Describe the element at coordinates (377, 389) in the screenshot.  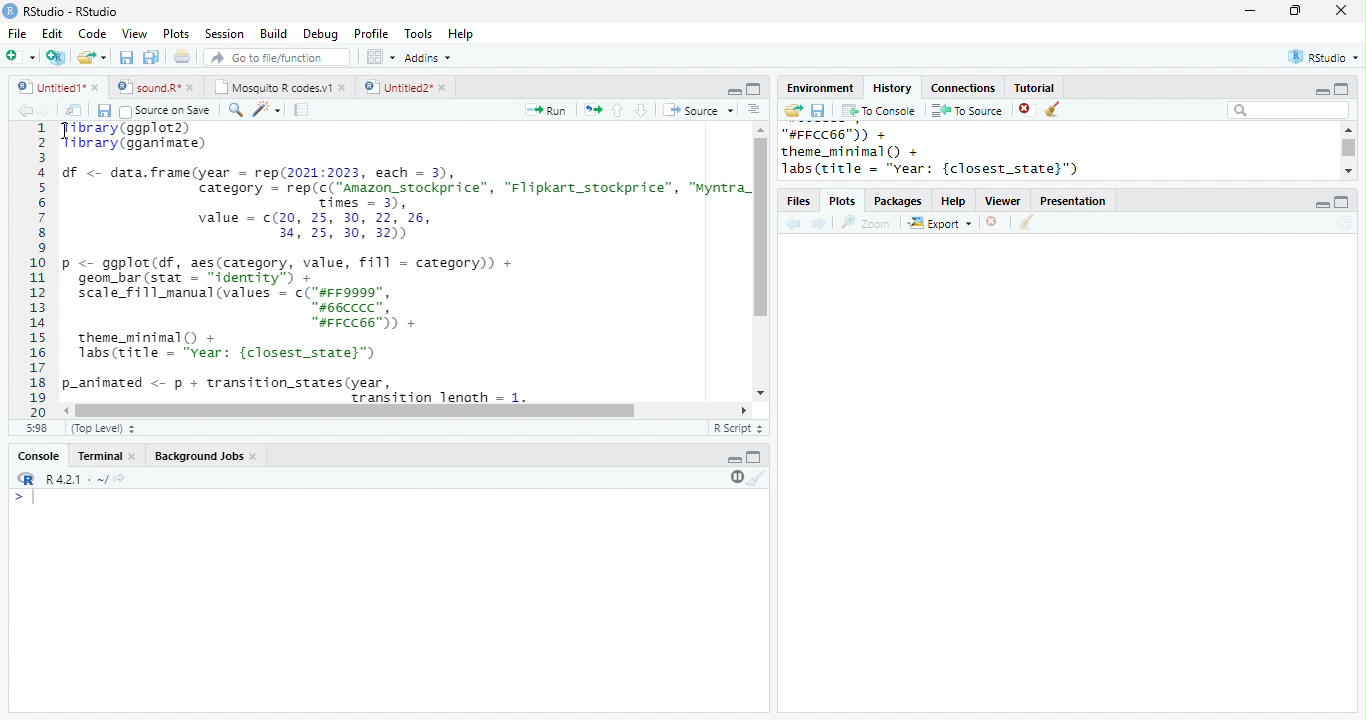
I see `p-animated <- p + transition_states(year,Trancition length = 1.` at that location.